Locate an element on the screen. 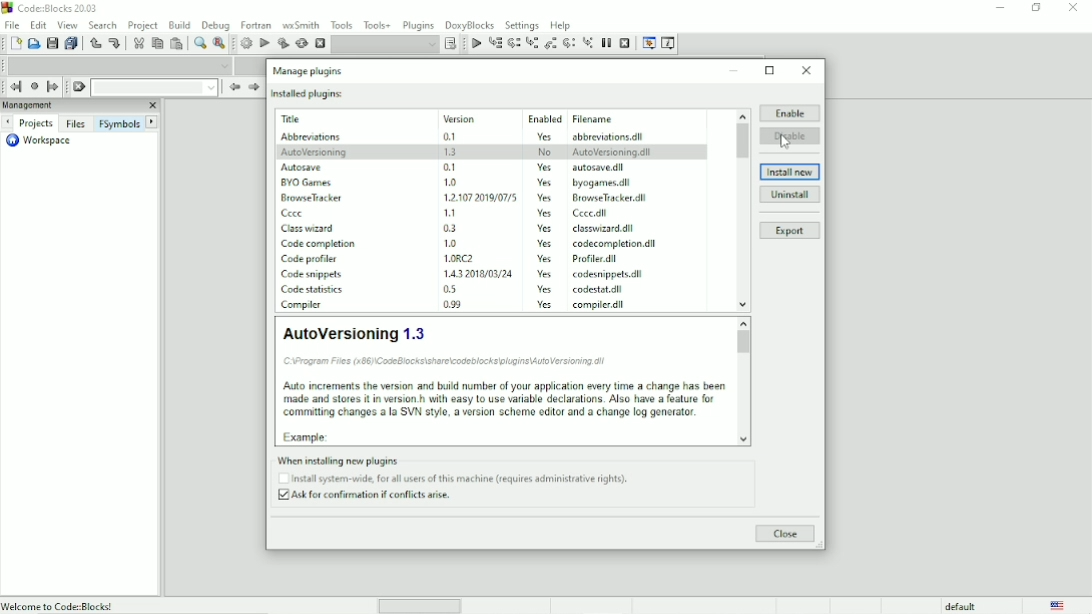 This screenshot has height=614, width=1092. Cut is located at coordinates (137, 43).